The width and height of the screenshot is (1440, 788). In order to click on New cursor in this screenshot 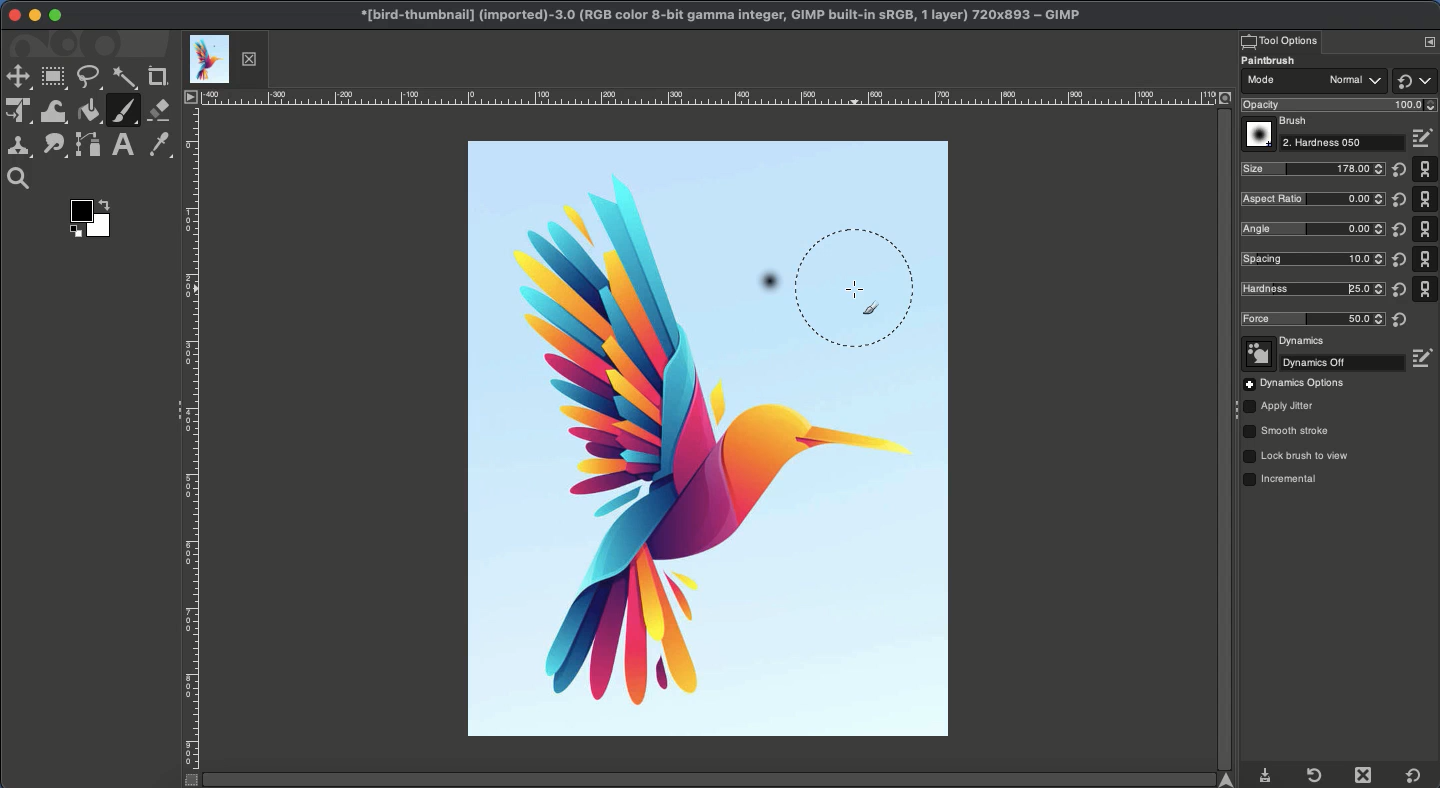, I will do `click(874, 290)`.